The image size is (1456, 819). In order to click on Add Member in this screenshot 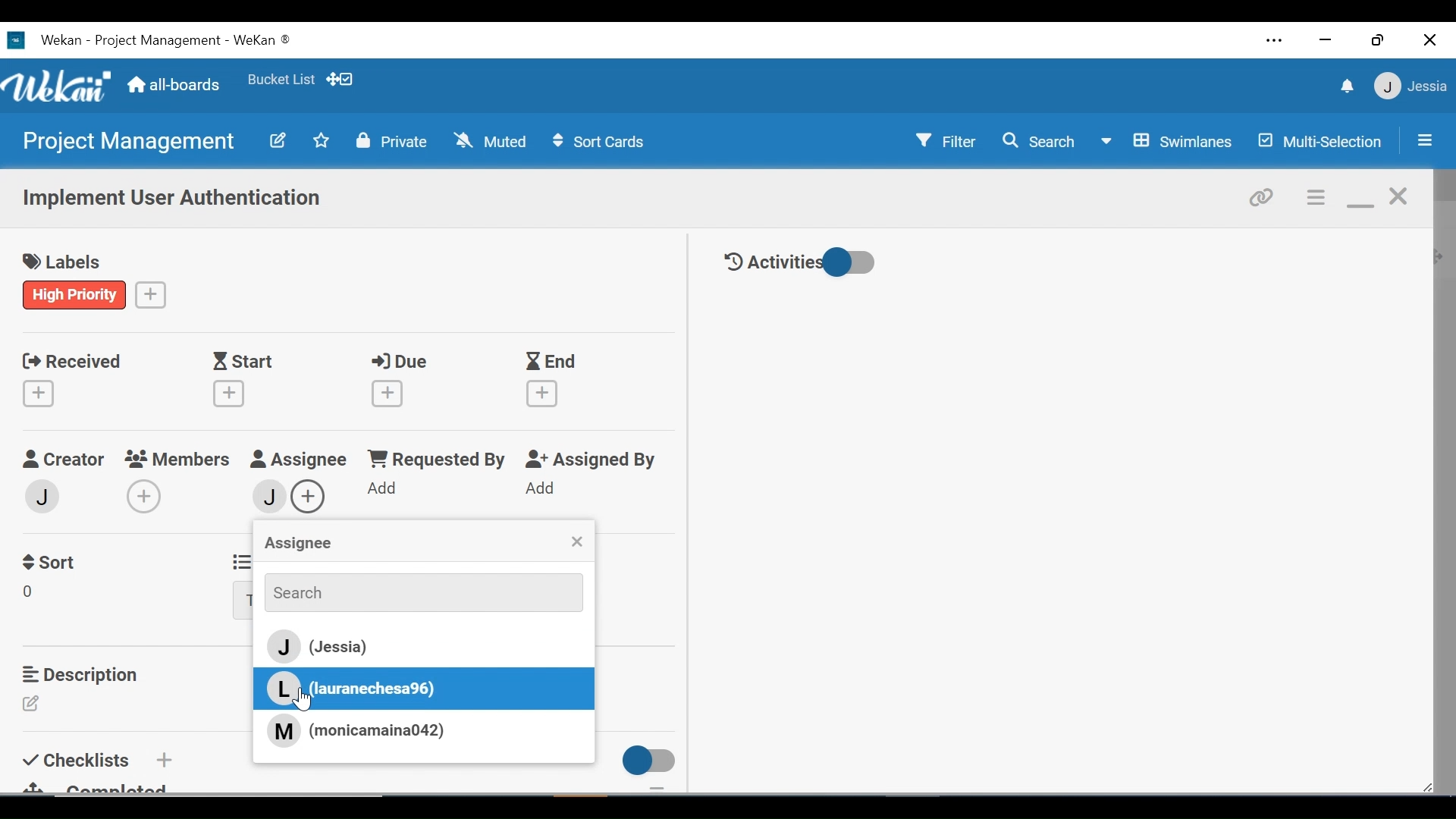, I will do `click(143, 496)`.